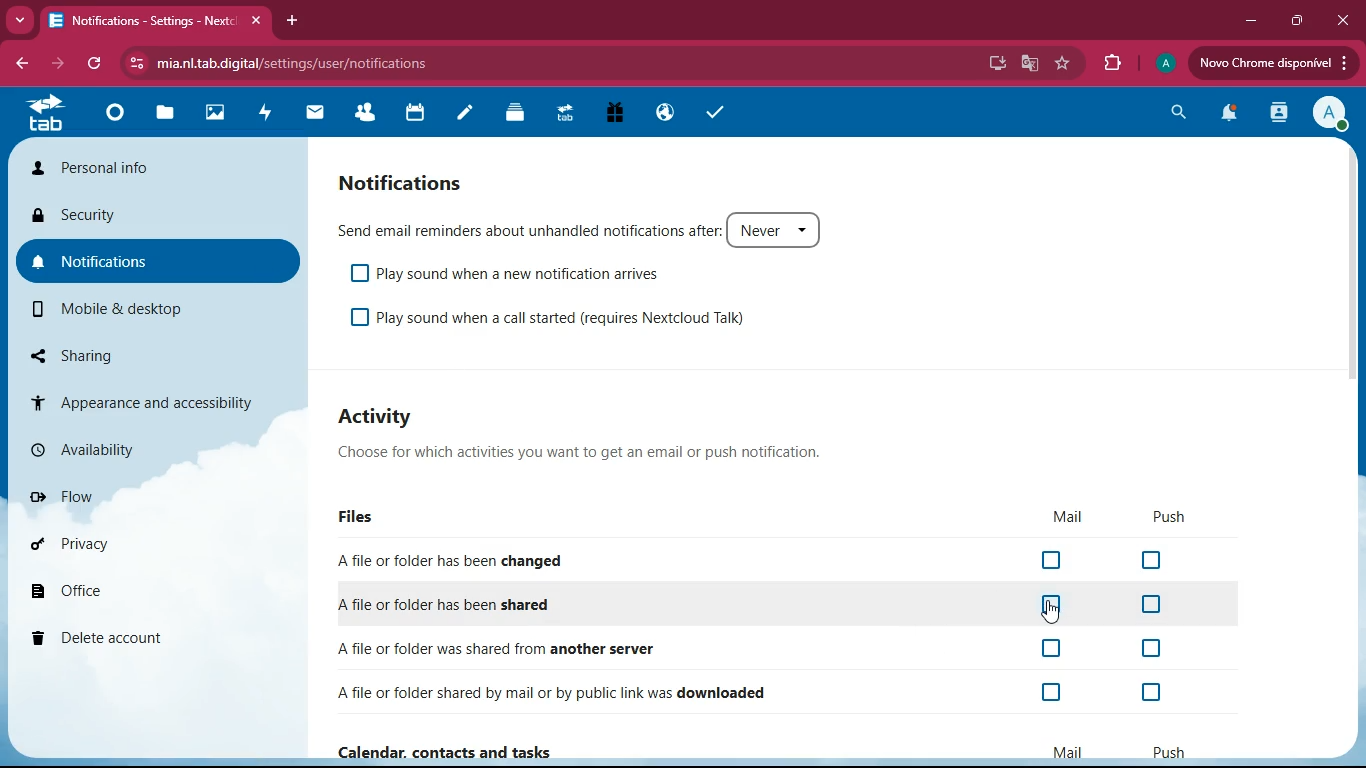 The width and height of the screenshot is (1366, 768). Describe the element at coordinates (1054, 608) in the screenshot. I see `off` at that location.